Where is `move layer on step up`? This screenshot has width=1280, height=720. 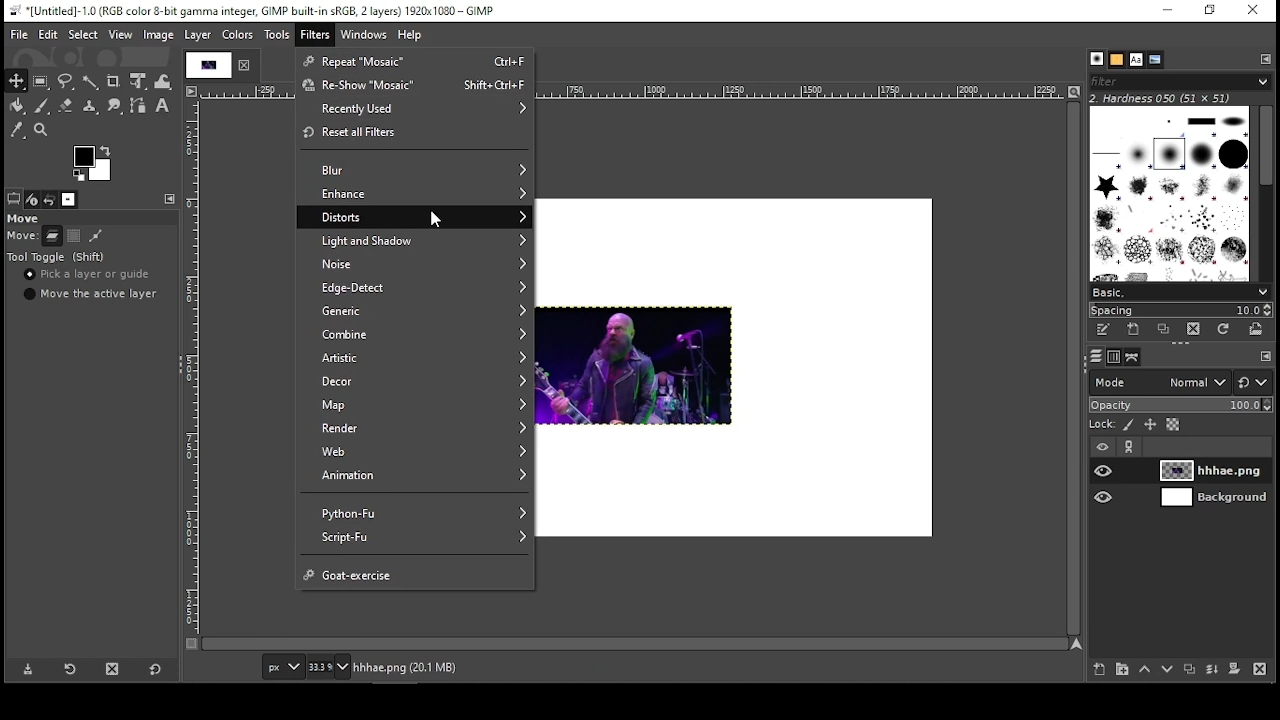
move layer on step up is located at coordinates (1148, 668).